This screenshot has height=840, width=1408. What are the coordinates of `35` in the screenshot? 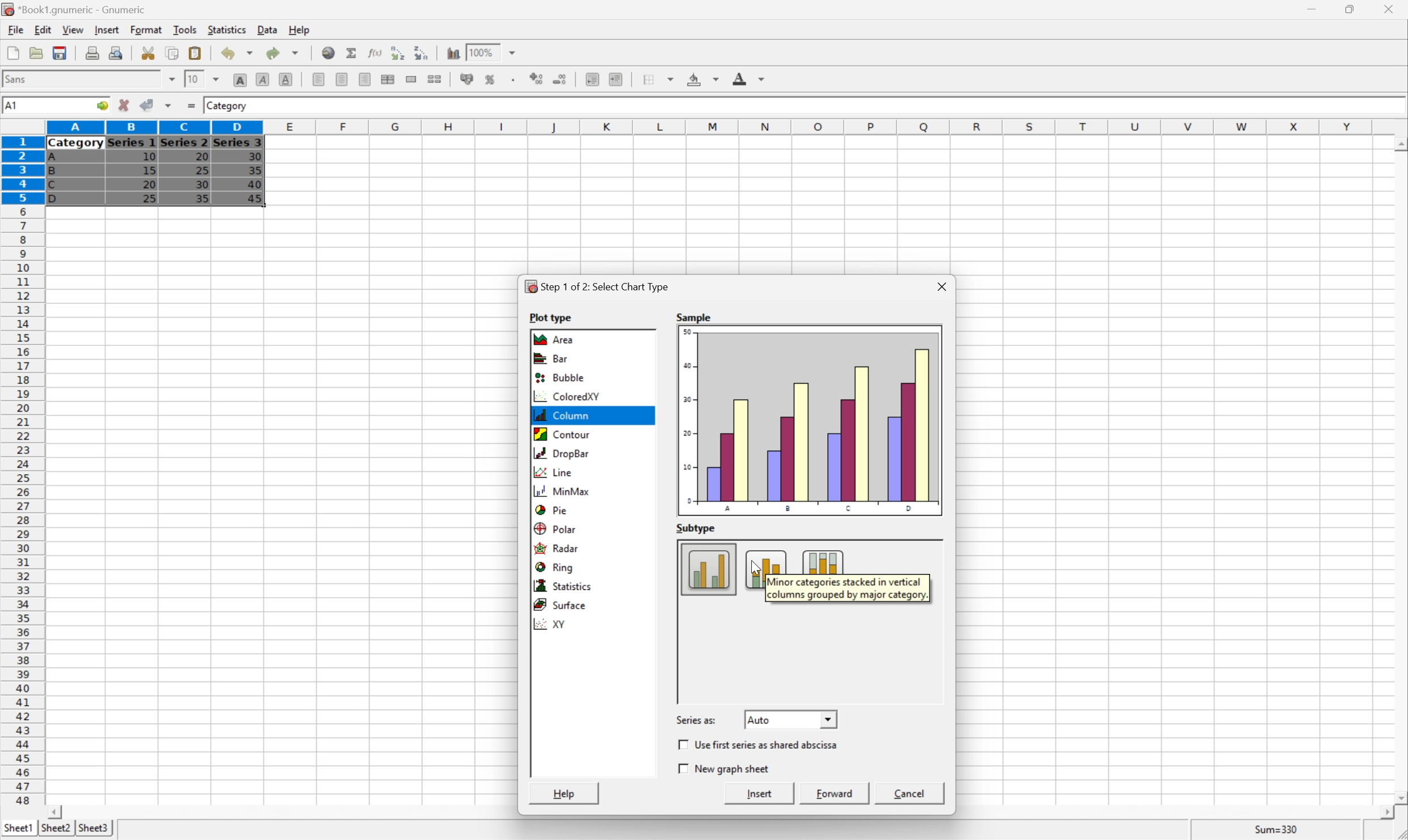 It's located at (255, 170).